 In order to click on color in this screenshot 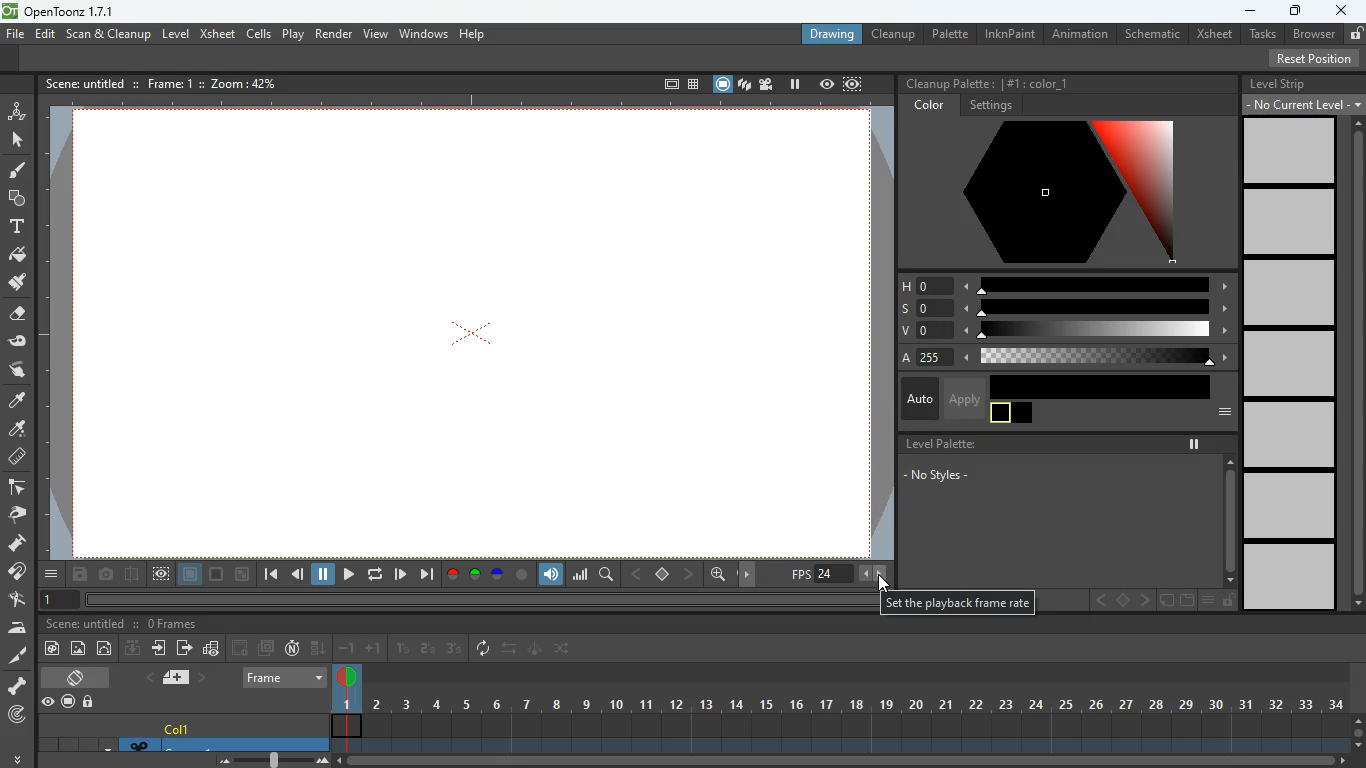, I will do `click(16, 428)`.